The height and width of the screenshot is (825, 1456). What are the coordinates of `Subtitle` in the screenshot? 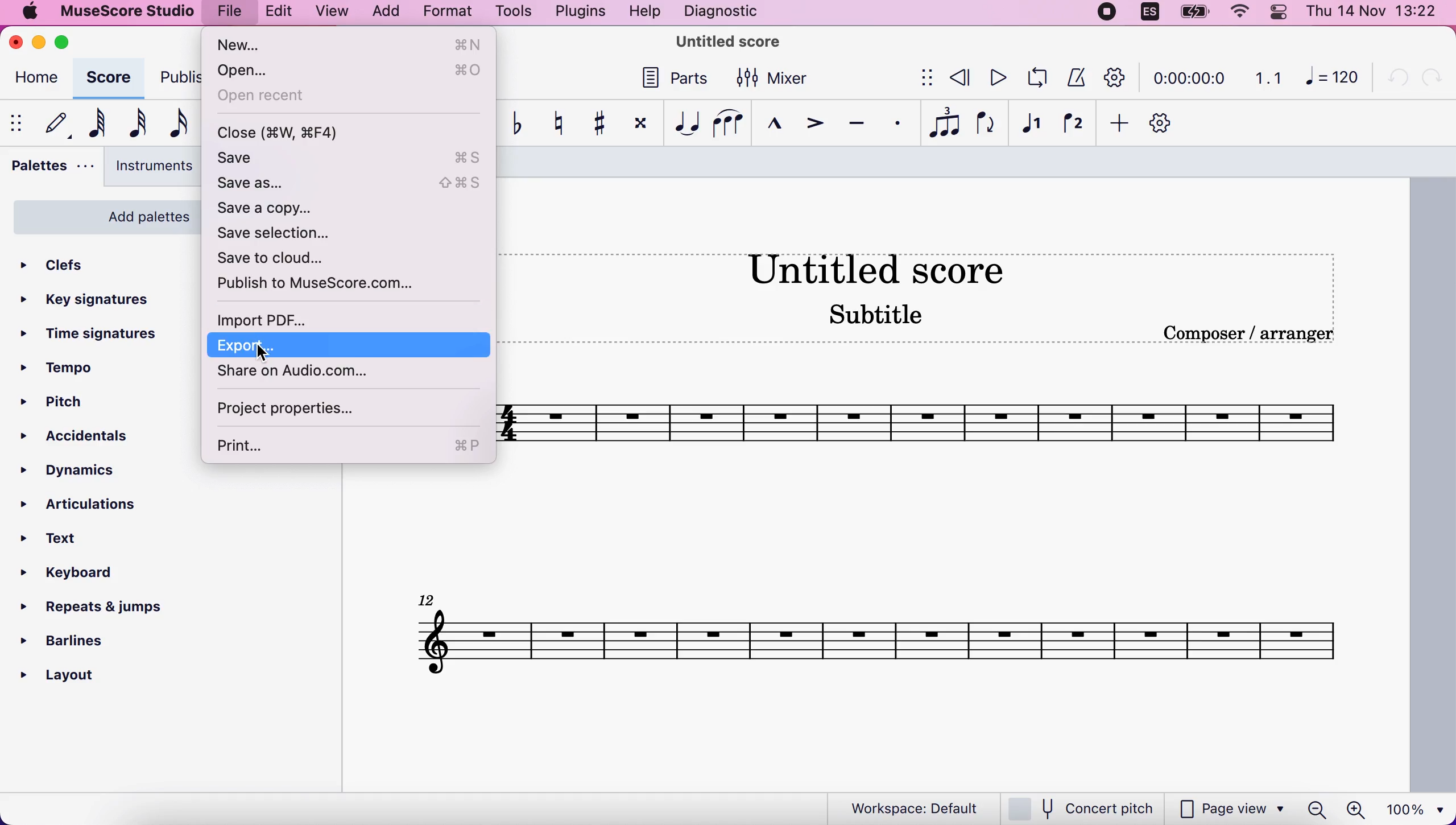 It's located at (876, 313).